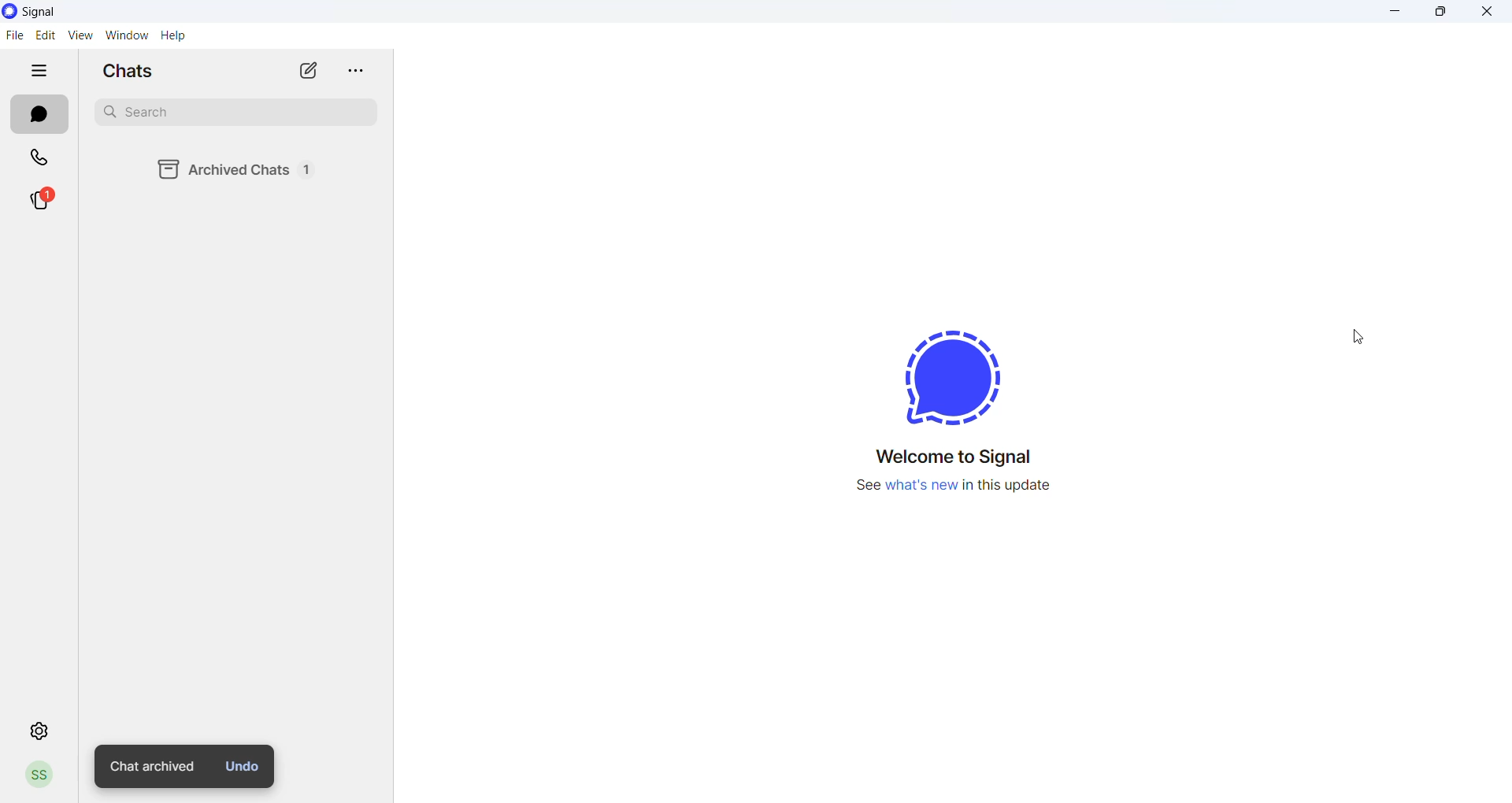  What do you see at coordinates (129, 70) in the screenshot?
I see `chats heading` at bounding box center [129, 70].